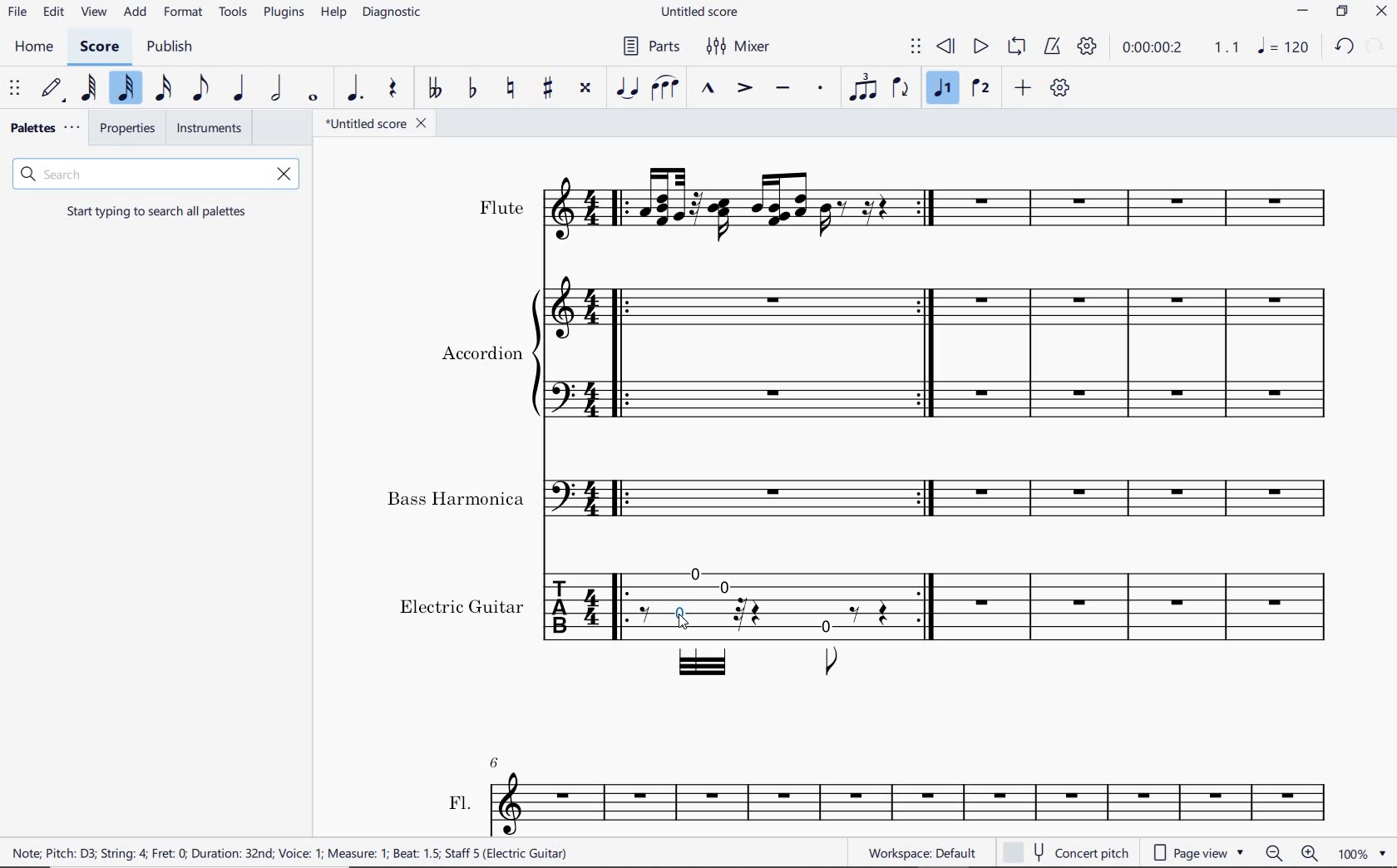 This screenshot has width=1397, height=868. Describe the element at coordinates (290, 855) in the screenshot. I see `score description` at that location.